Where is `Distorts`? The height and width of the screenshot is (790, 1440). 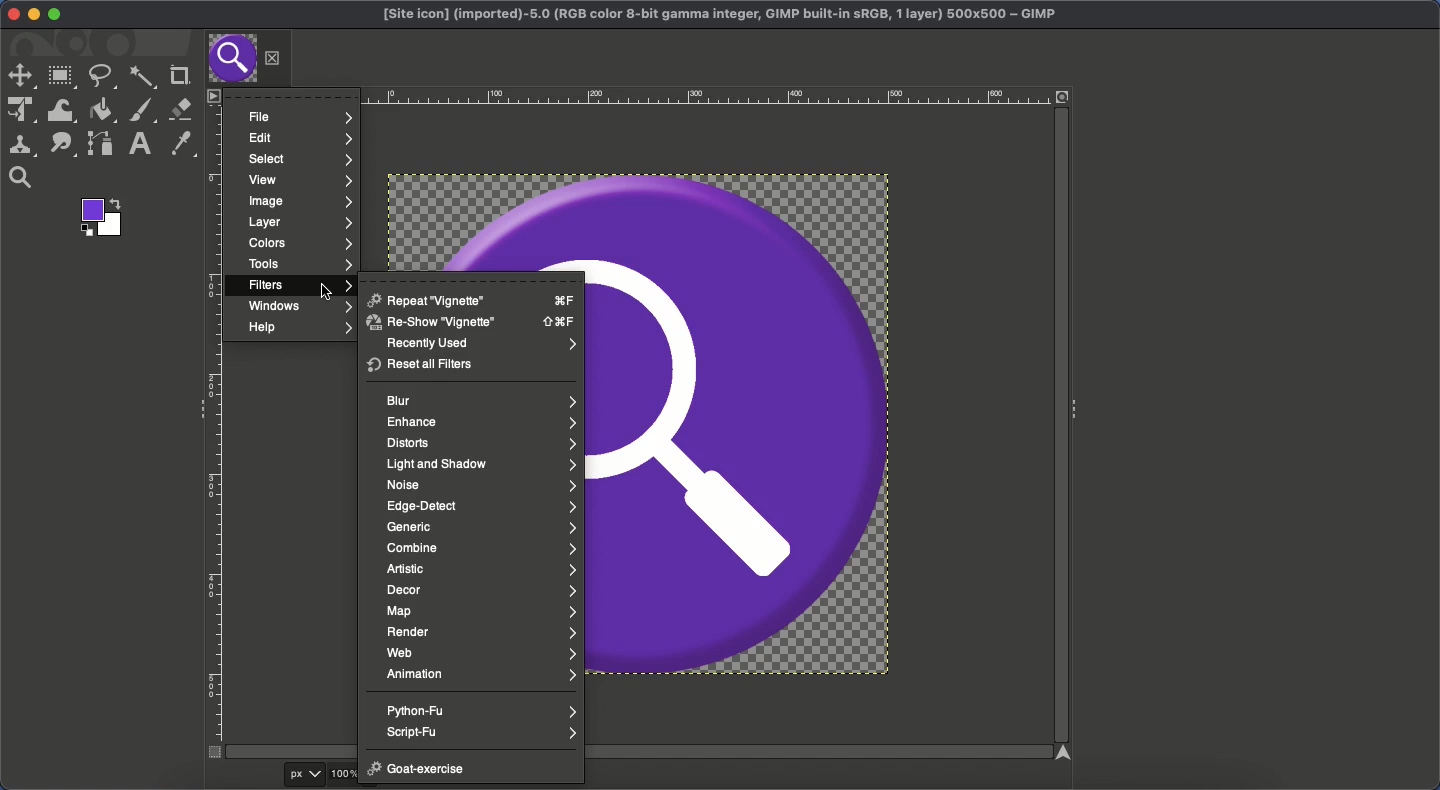
Distorts is located at coordinates (479, 444).